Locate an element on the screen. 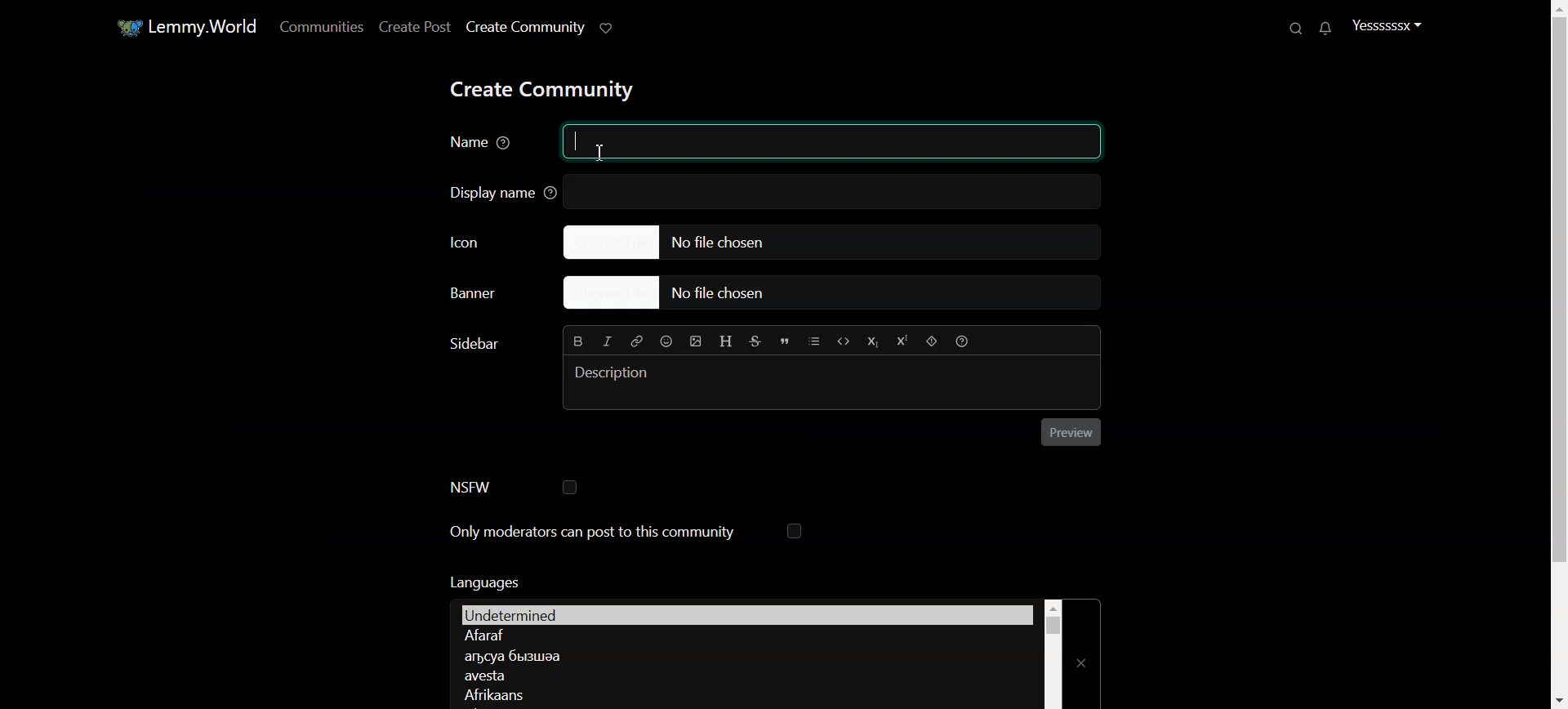 This screenshot has height=709, width=1568. Strikethrough is located at coordinates (756, 341).